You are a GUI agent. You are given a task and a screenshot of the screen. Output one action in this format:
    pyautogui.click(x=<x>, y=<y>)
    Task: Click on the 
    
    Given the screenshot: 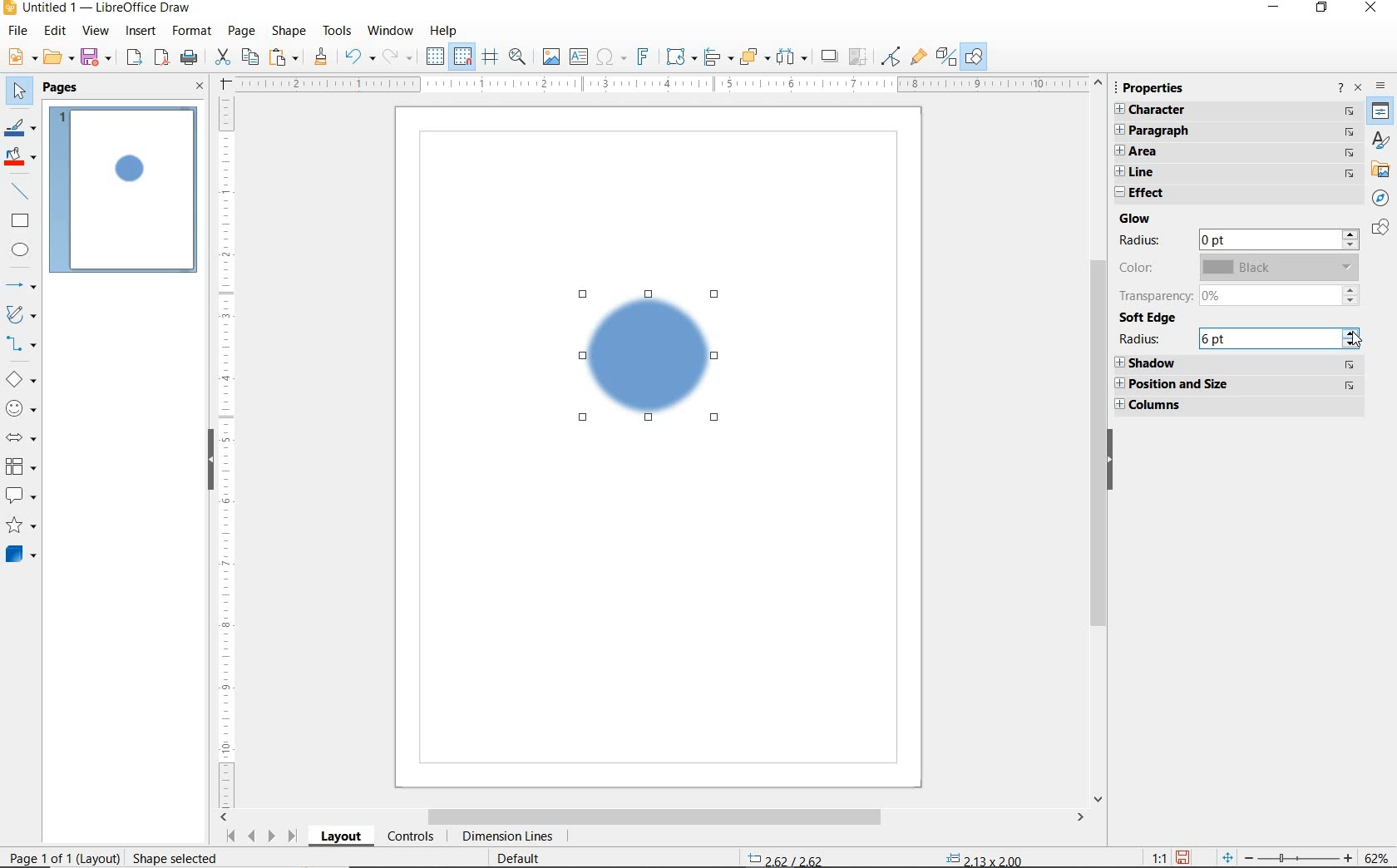 What is the action you would take?
    pyautogui.click(x=492, y=58)
    